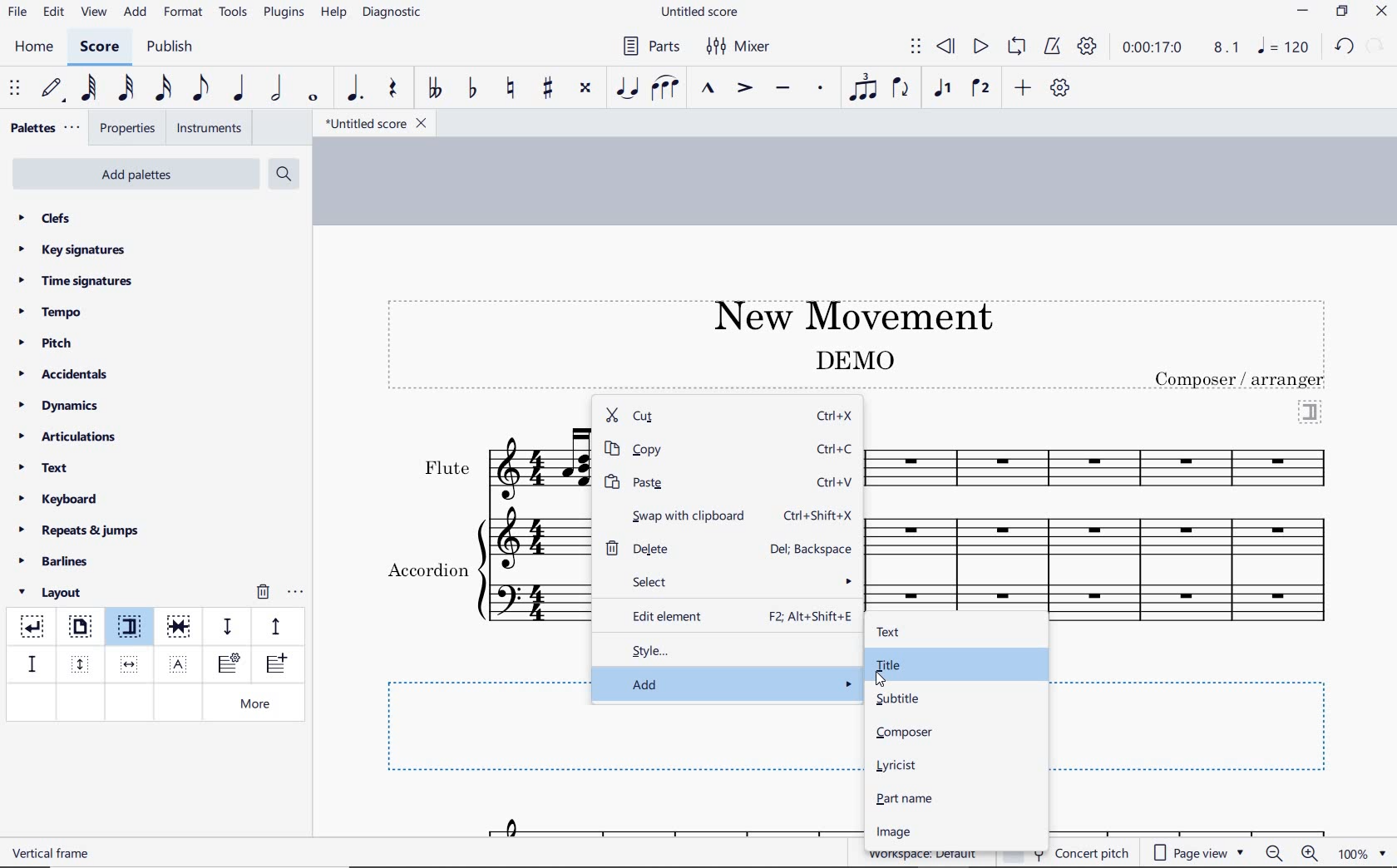 The height and width of the screenshot is (868, 1397). What do you see at coordinates (1311, 410) in the screenshot?
I see `section break` at bounding box center [1311, 410].